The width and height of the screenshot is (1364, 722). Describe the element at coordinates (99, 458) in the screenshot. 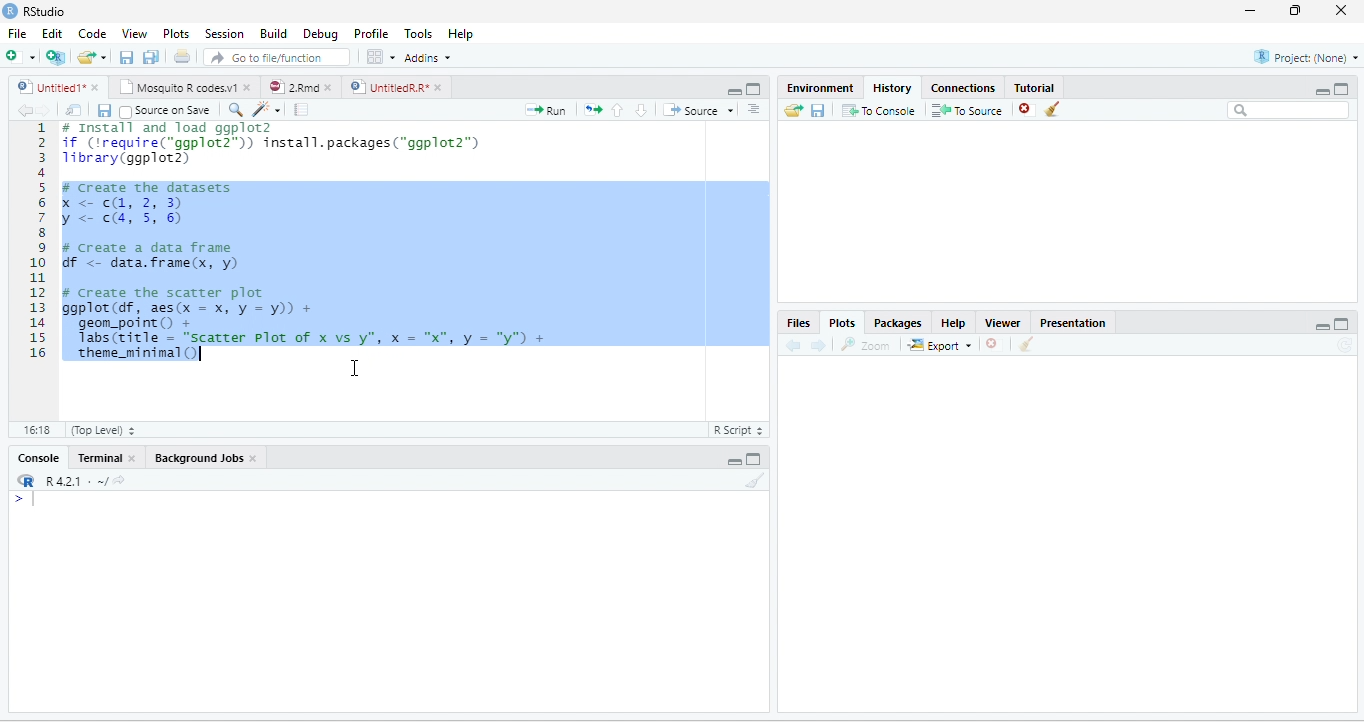

I see `Terminal` at that location.